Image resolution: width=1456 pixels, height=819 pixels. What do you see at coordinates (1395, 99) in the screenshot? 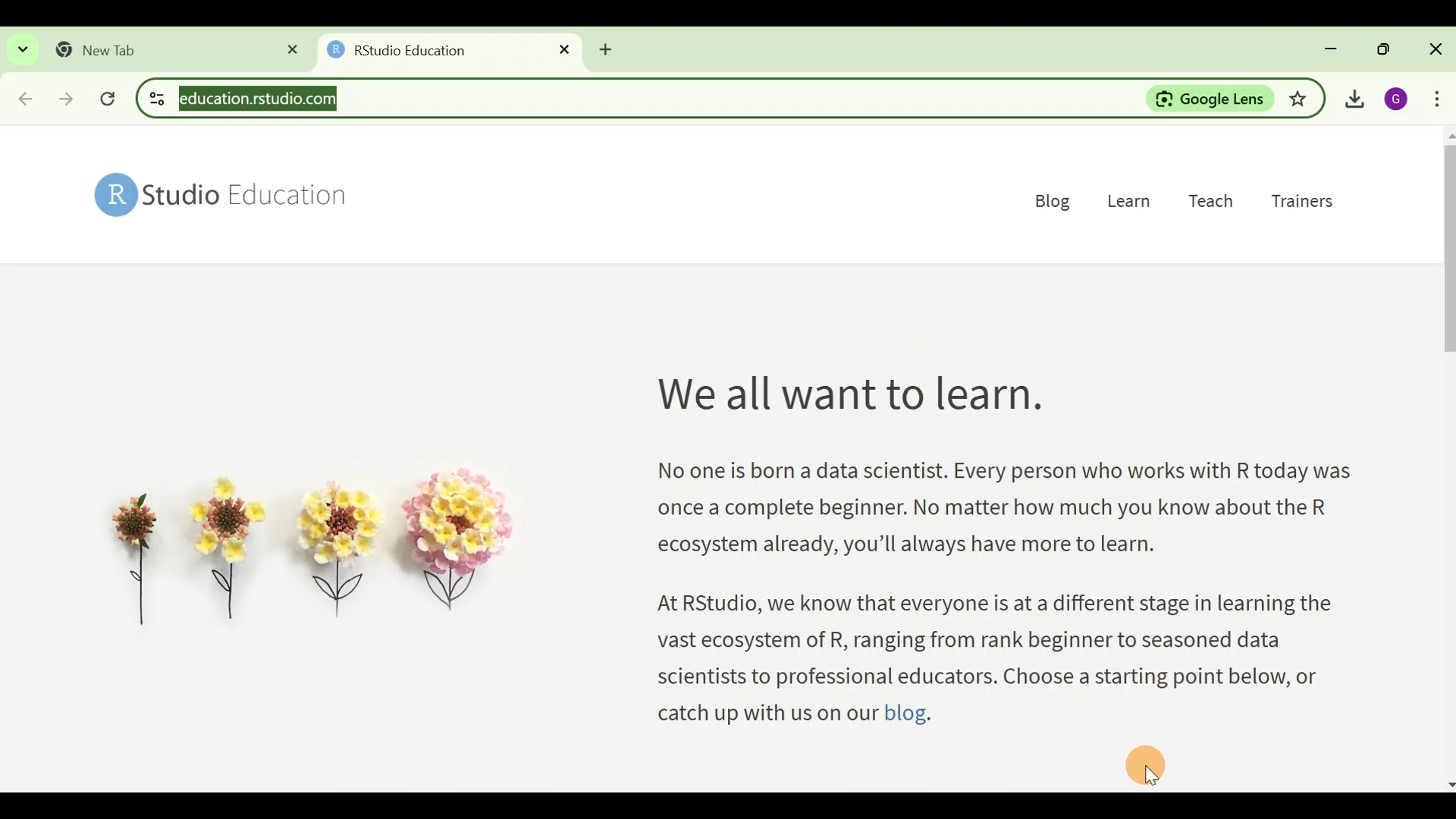
I see `Account information` at bounding box center [1395, 99].